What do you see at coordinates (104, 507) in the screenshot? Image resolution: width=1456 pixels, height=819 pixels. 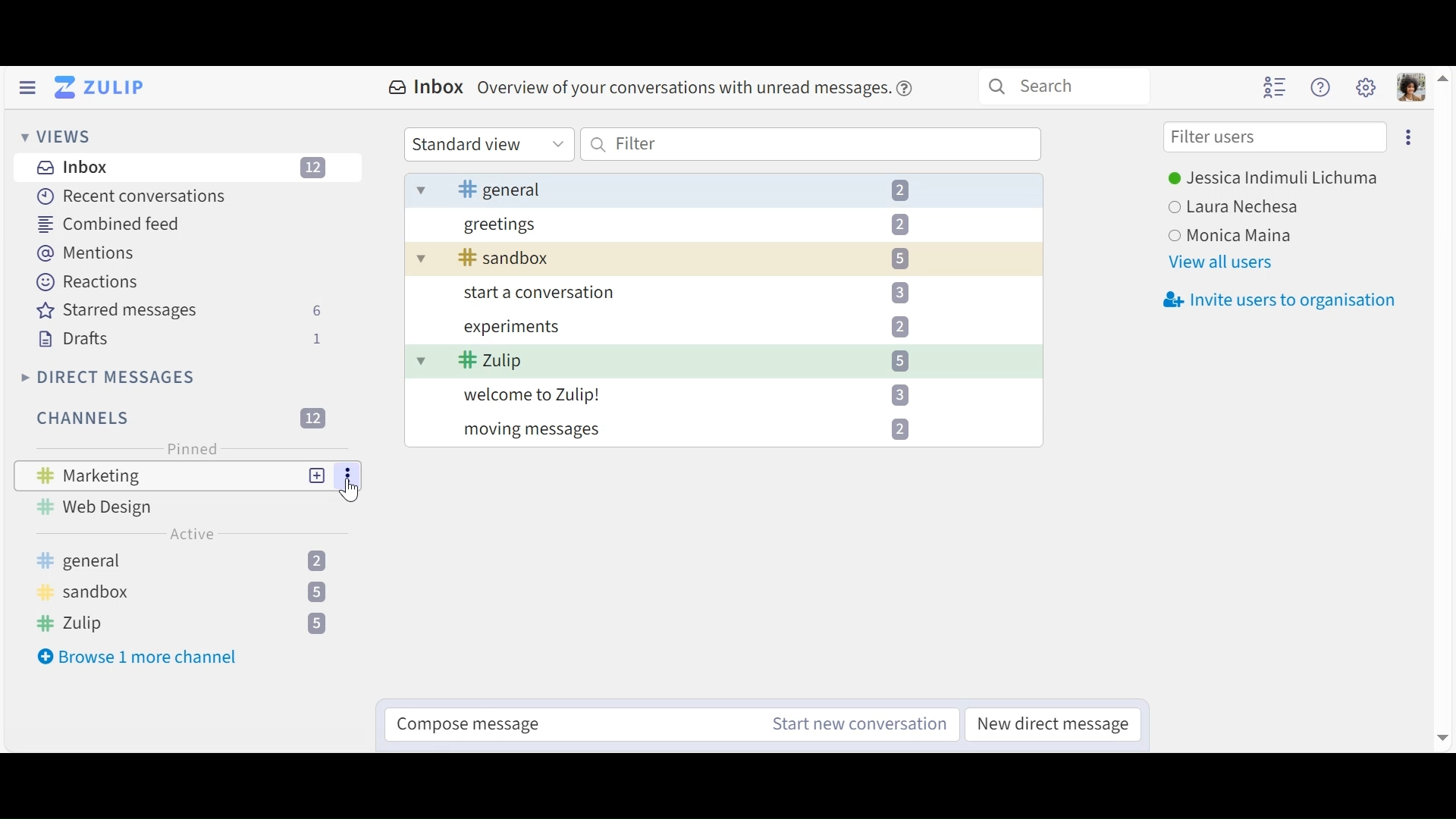 I see `Web design` at bounding box center [104, 507].